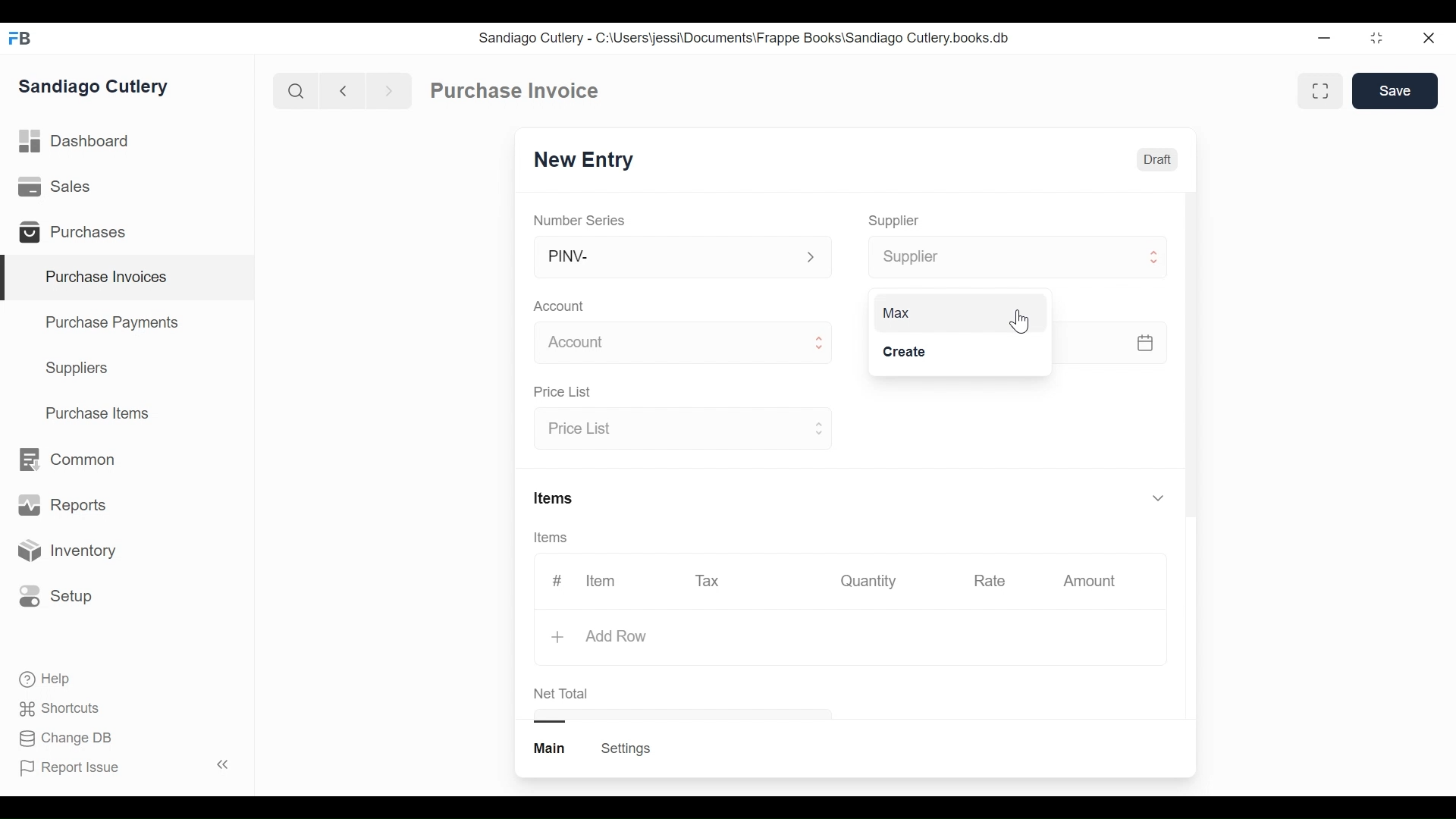 This screenshot has width=1456, height=819. What do you see at coordinates (56, 595) in the screenshot?
I see `Setup` at bounding box center [56, 595].